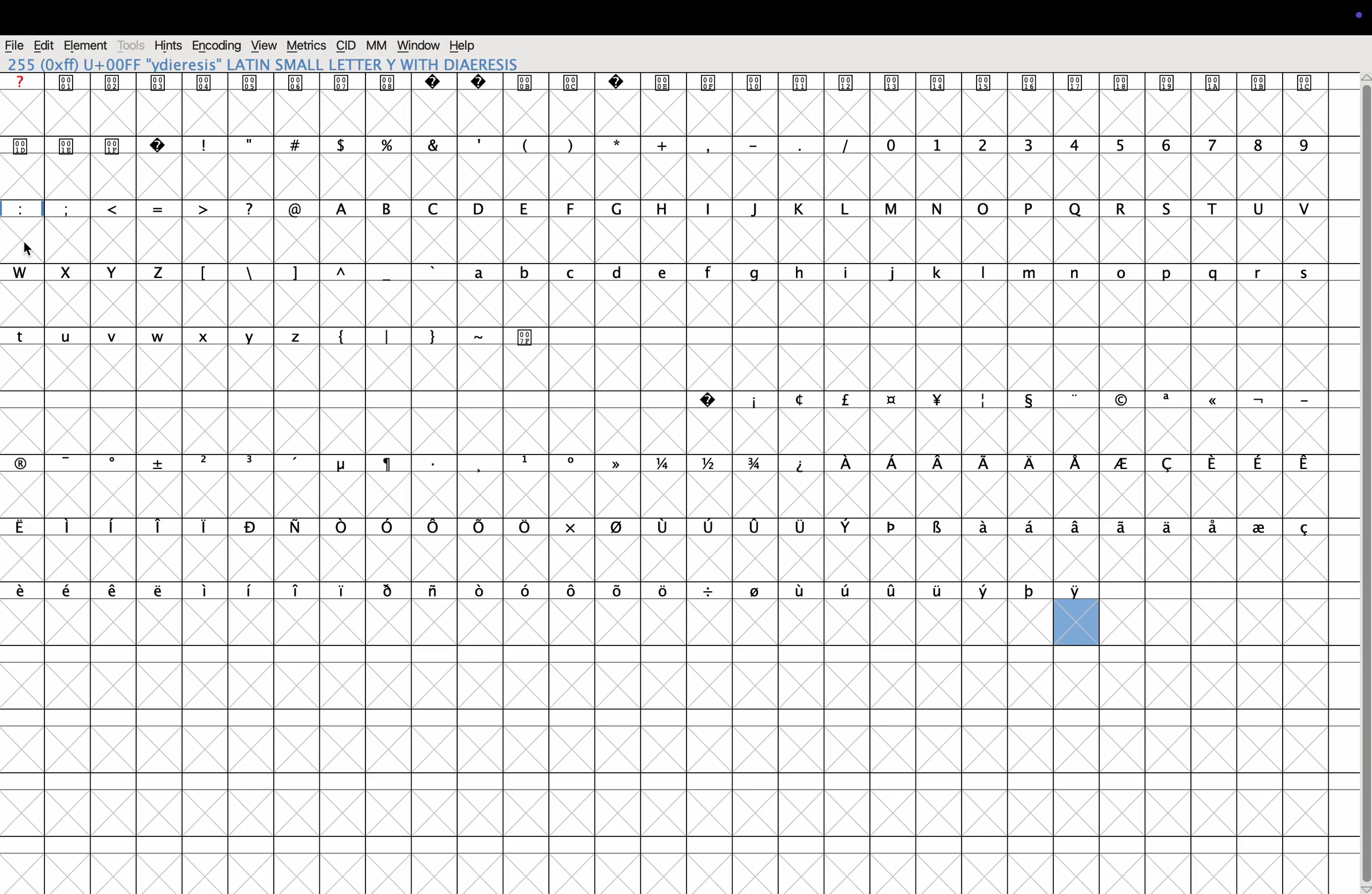 The width and height of the screenshot is (1372, 894). Describe the element at coordinates (524, 232) in the screenshot. I see `E` at that location.